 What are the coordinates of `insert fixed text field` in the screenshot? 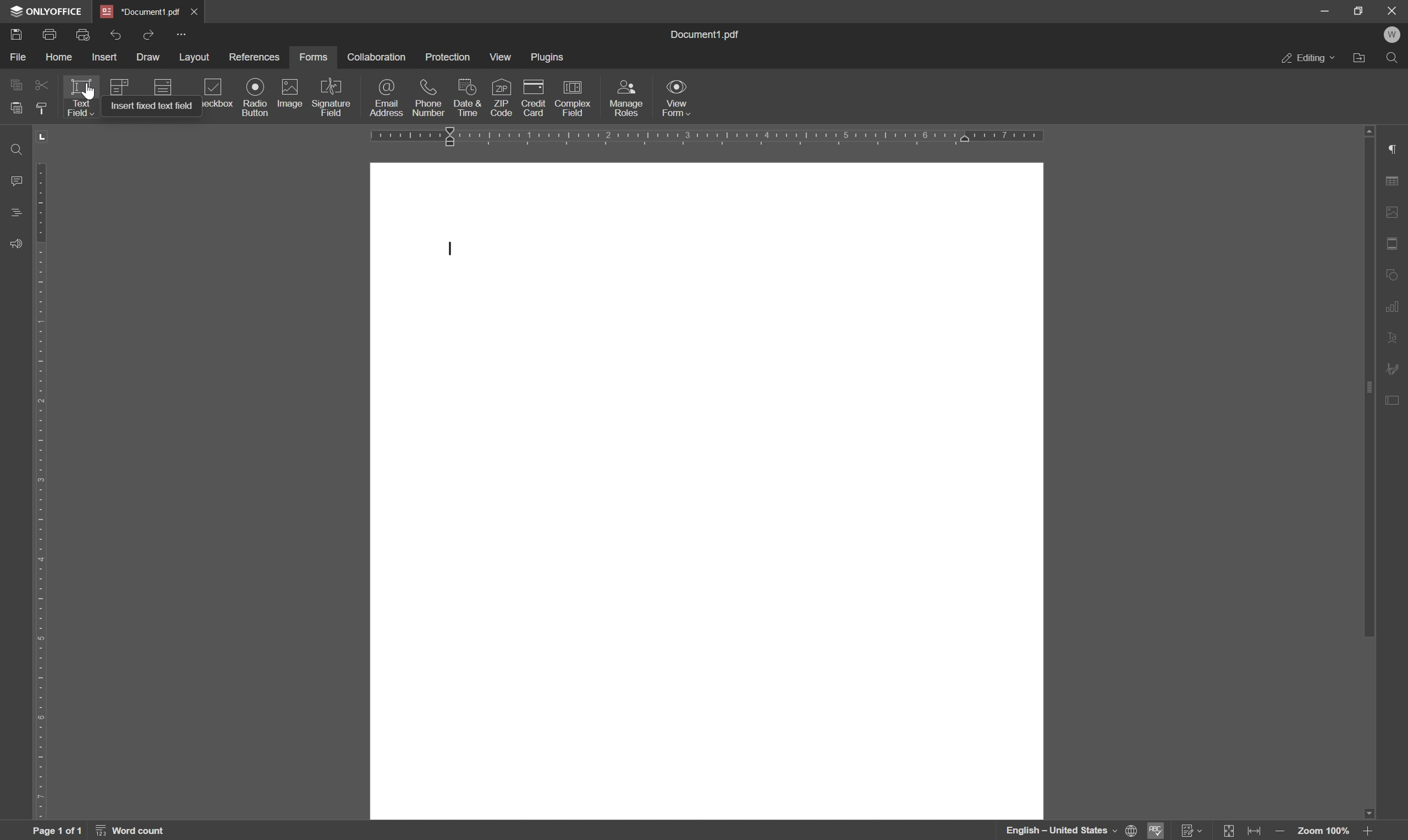 It's located at (152, 105).